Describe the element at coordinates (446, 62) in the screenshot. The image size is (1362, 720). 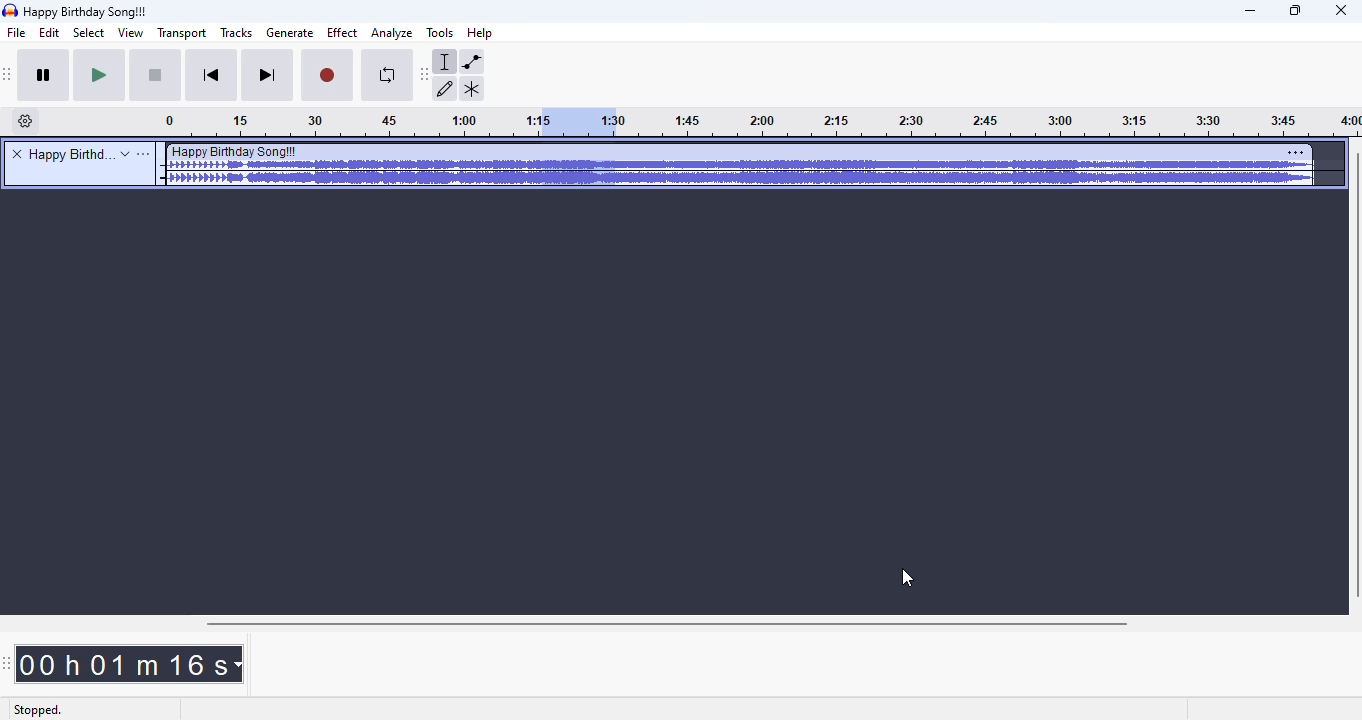
I see `selection tool` at that location.